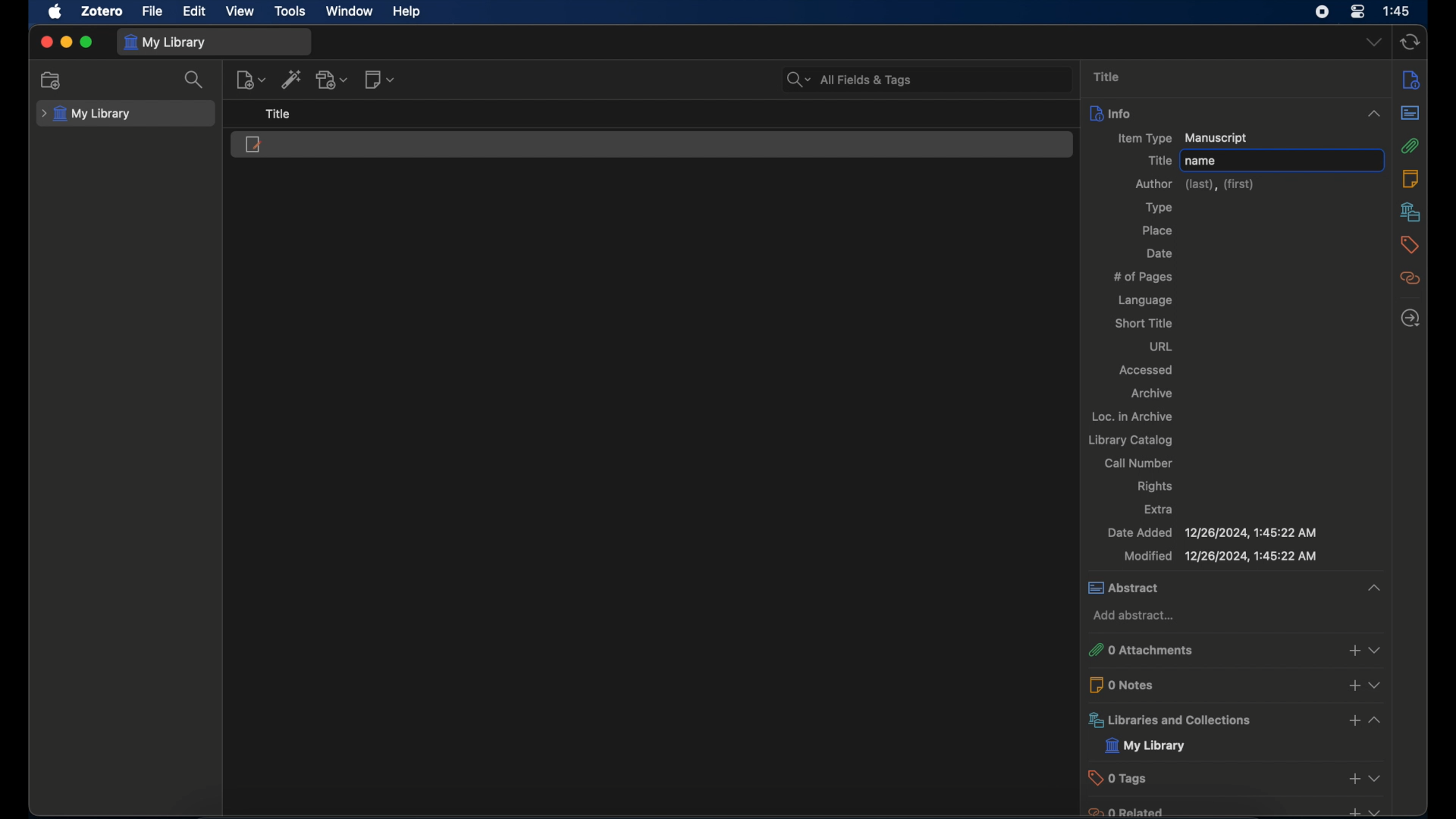  What do you see at coordinates (1236, 113) in the screenshot?
I see `info` at bounding box center [1236, 113].